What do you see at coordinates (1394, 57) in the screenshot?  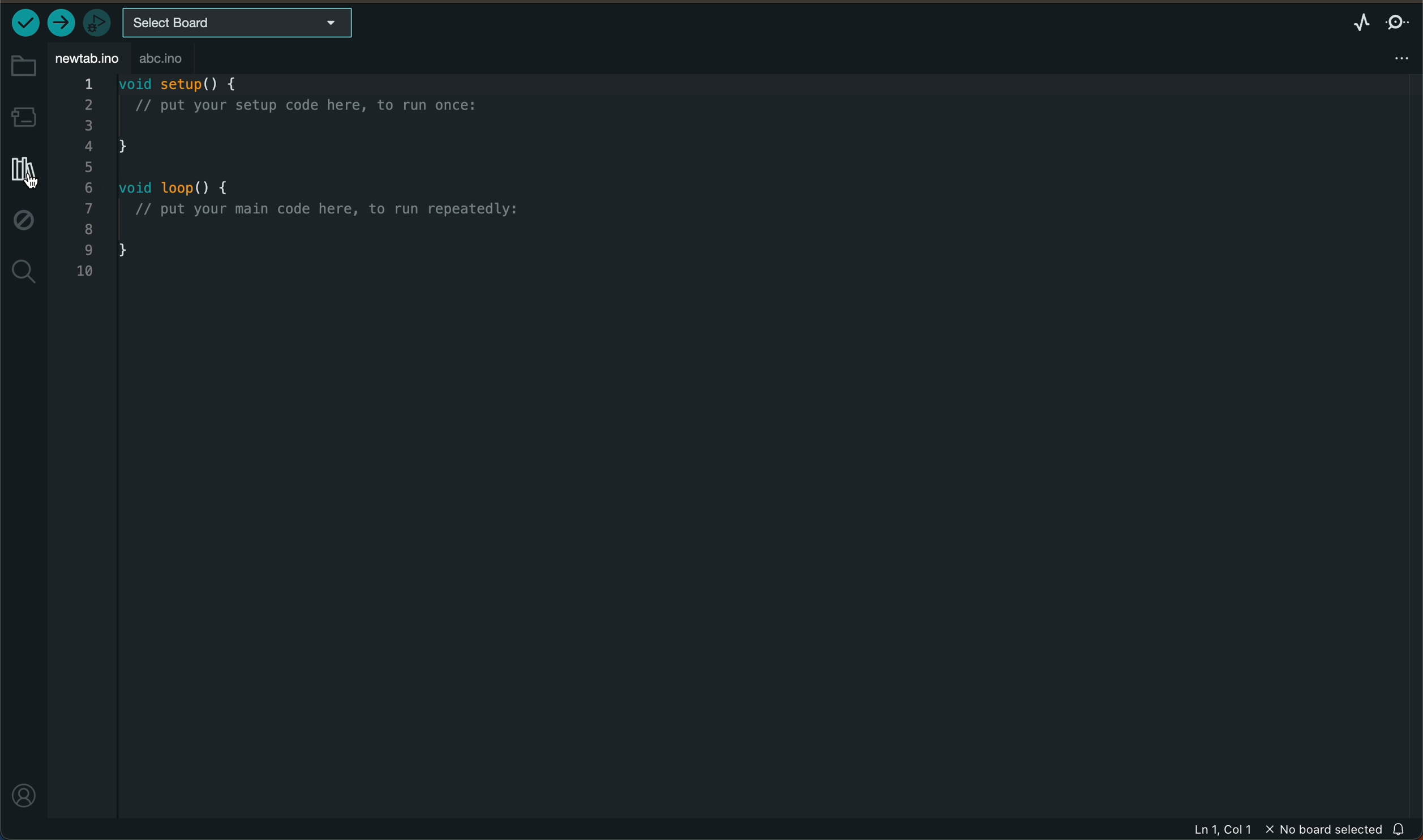 I see `file setting` at bounding box center [1394, 57].